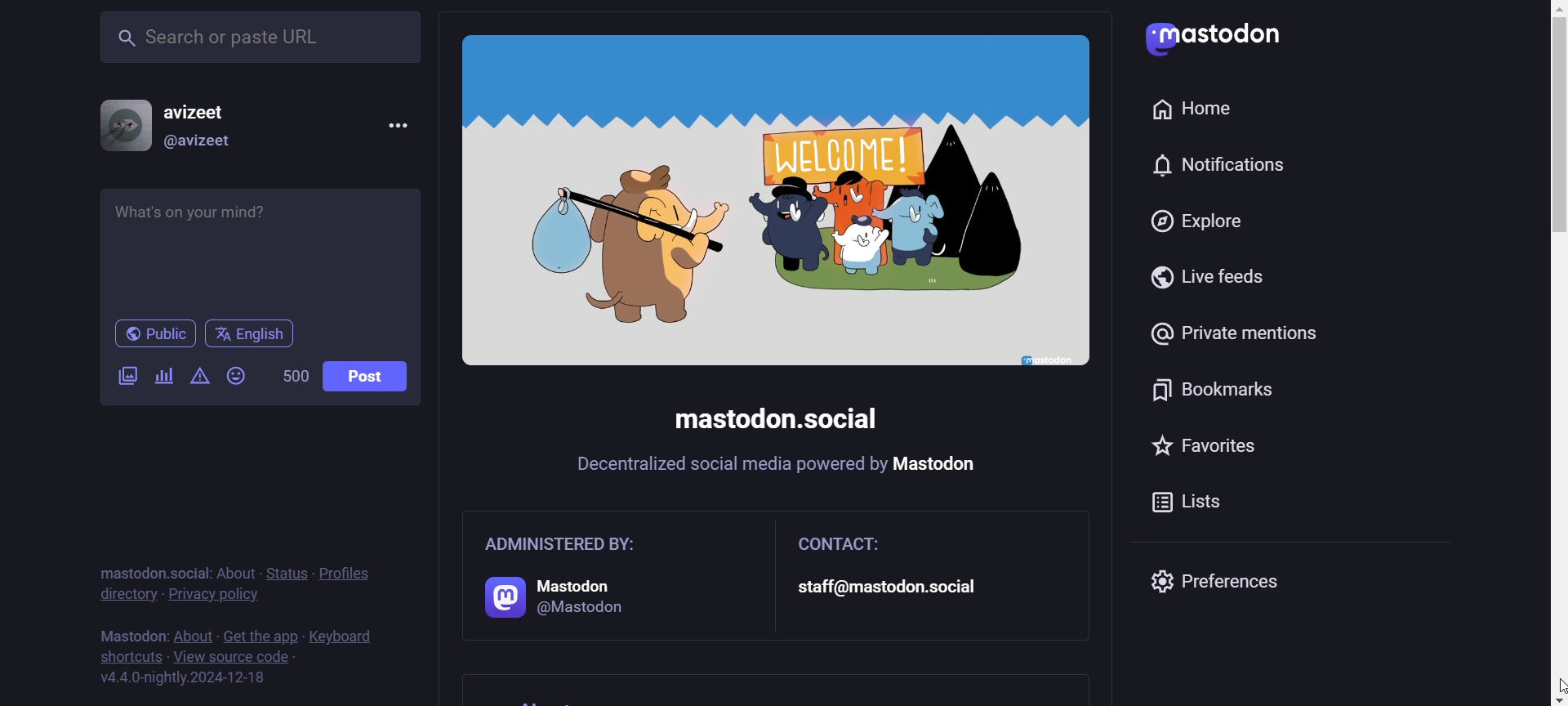  I want to click on version, so click(184, 679).